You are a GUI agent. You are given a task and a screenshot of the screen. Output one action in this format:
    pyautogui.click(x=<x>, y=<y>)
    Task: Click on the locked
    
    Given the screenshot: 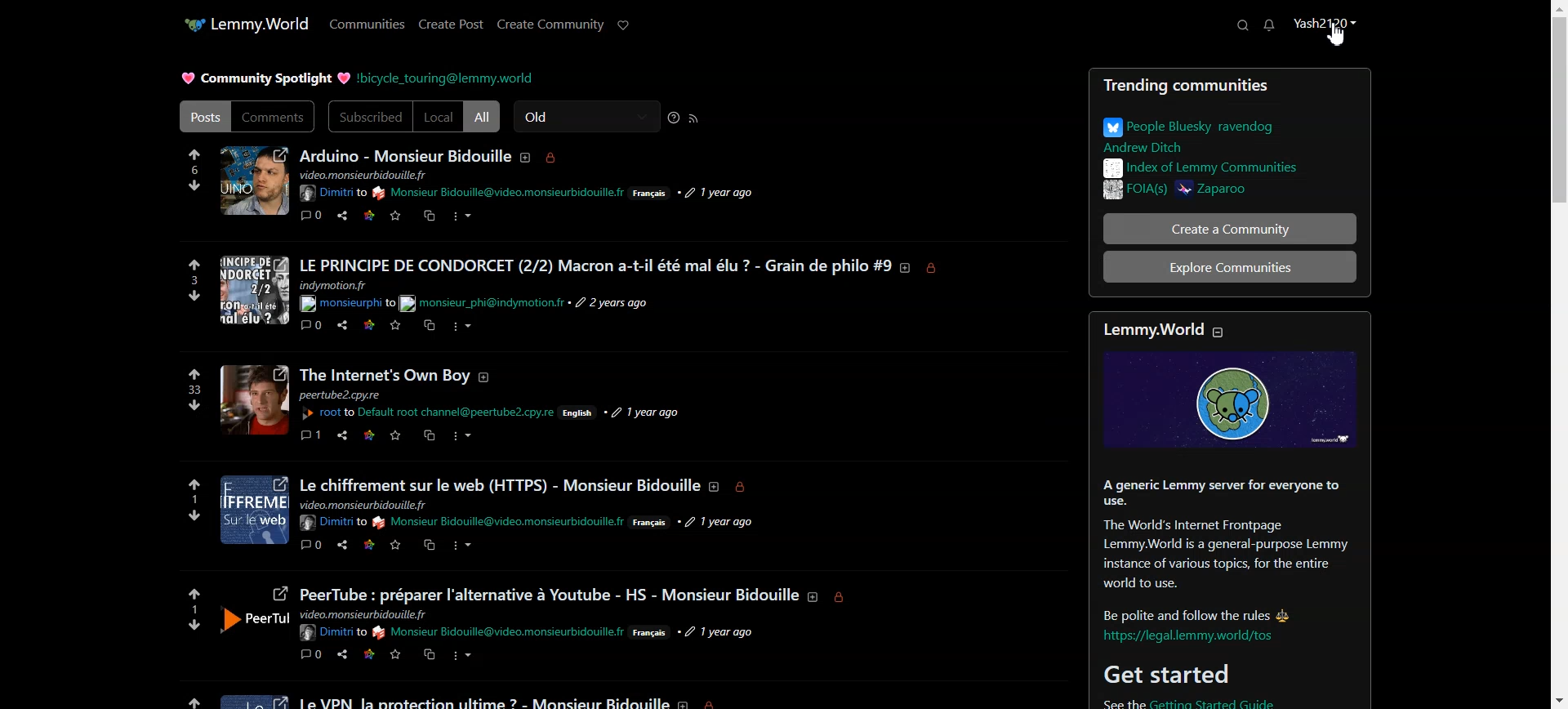 What is the action you would take?
    pyautogui.click(x=844, y=599)
    